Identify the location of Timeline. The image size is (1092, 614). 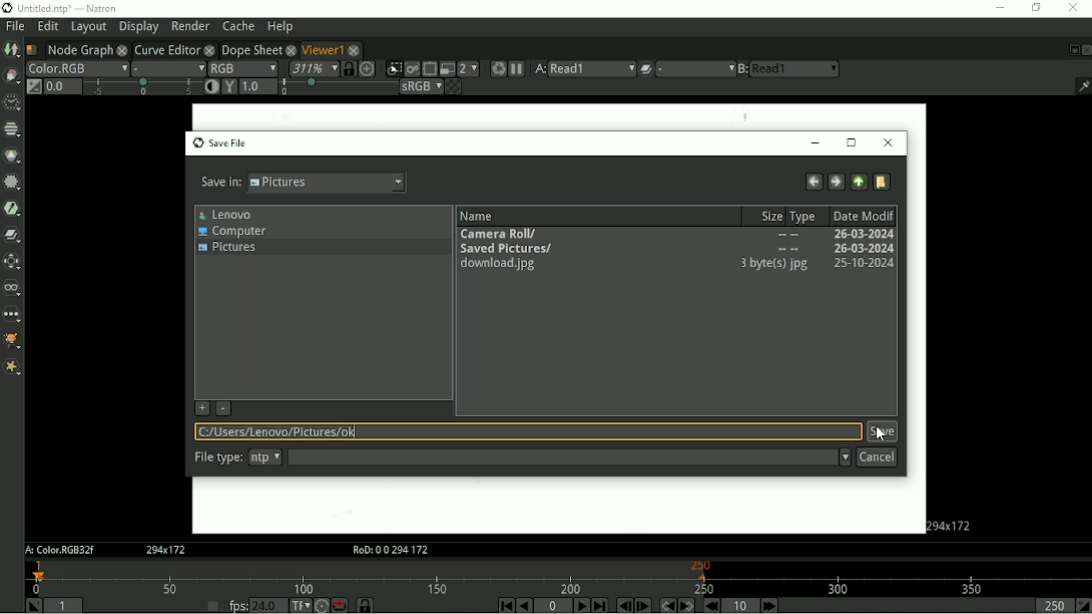
(555, 578).